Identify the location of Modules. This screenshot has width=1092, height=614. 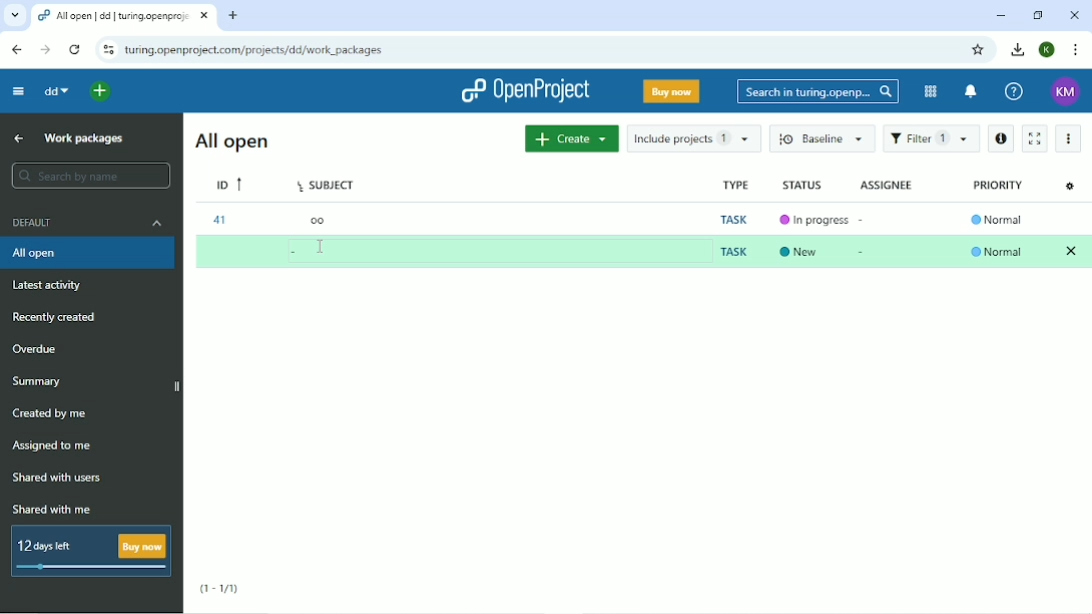
(929, 90).